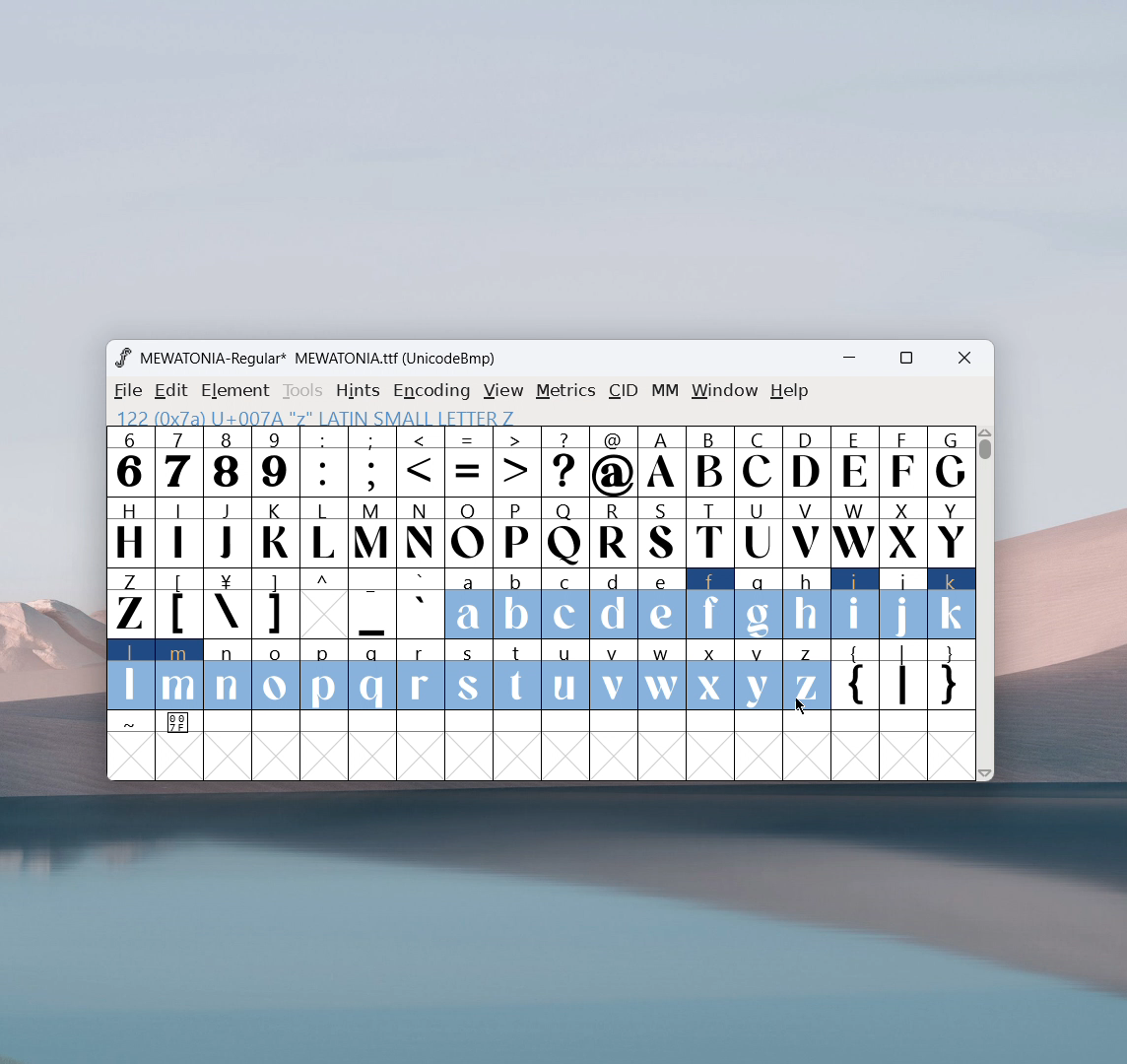 Image resolution: width=1127 pixels, height=1064 pixels. I want to click on metrics, so click(565, 391).